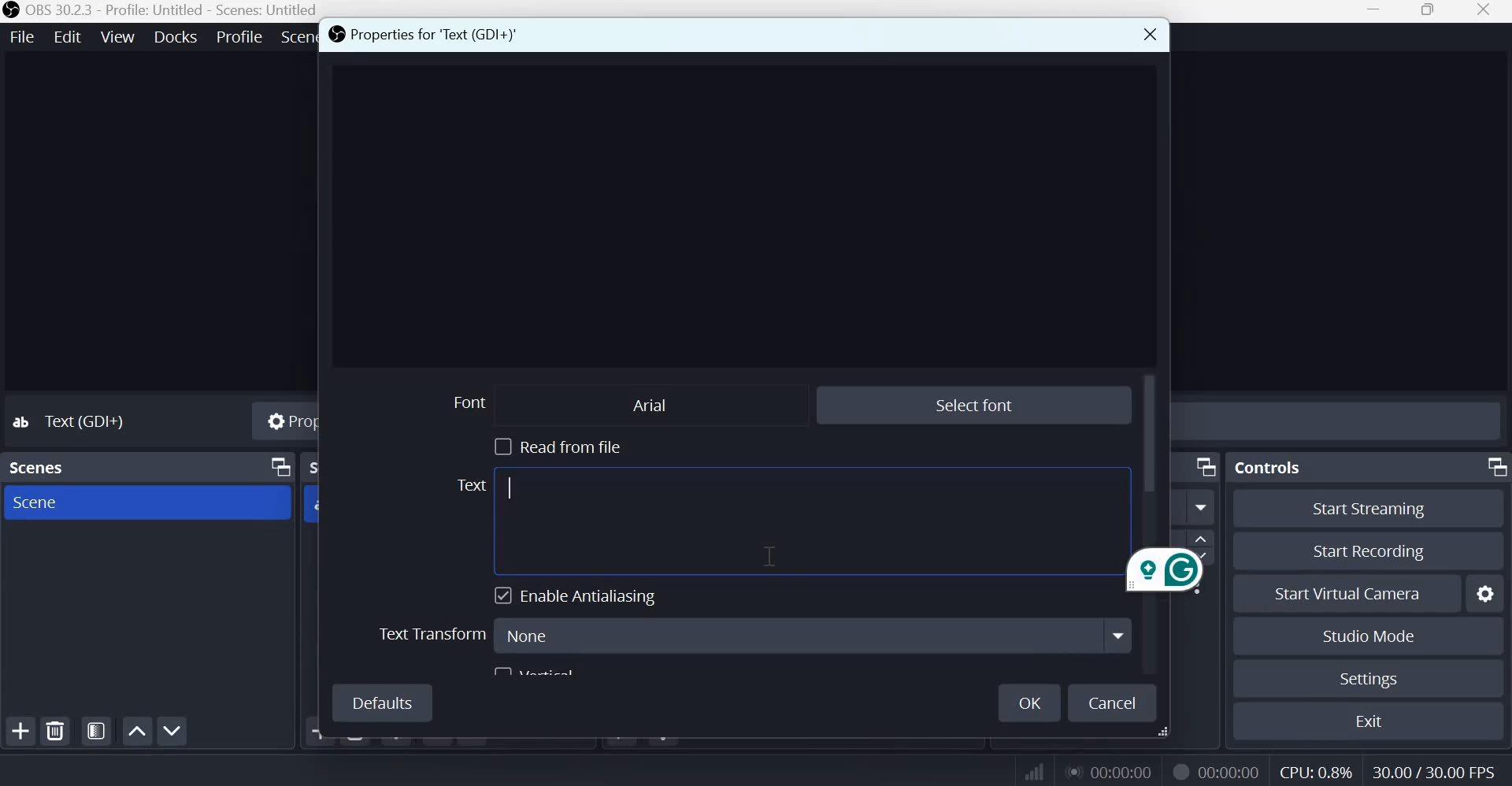 The image size is (1512, 786). Describe the element at coordinates (1106, 771) in the screenshot. I see `00:00:00` at that location.